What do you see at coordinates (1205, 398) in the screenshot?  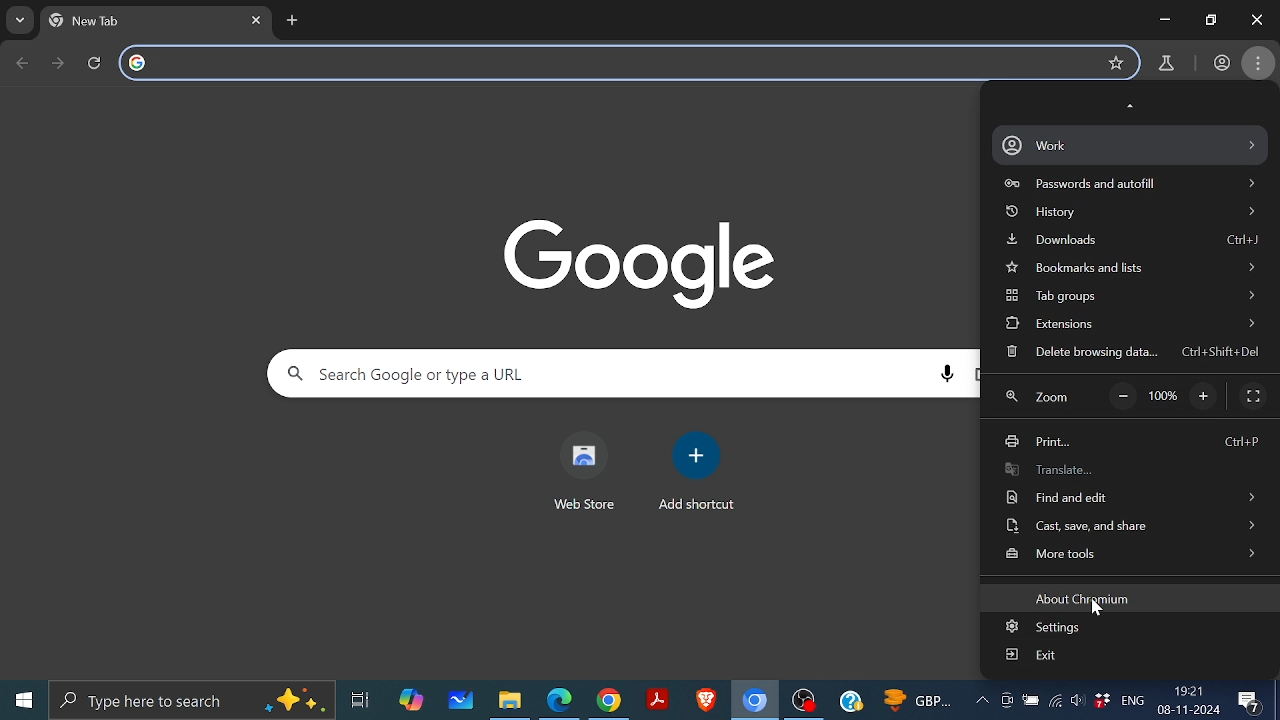 I see `Zoom in` at bounding box center [1205, 398].